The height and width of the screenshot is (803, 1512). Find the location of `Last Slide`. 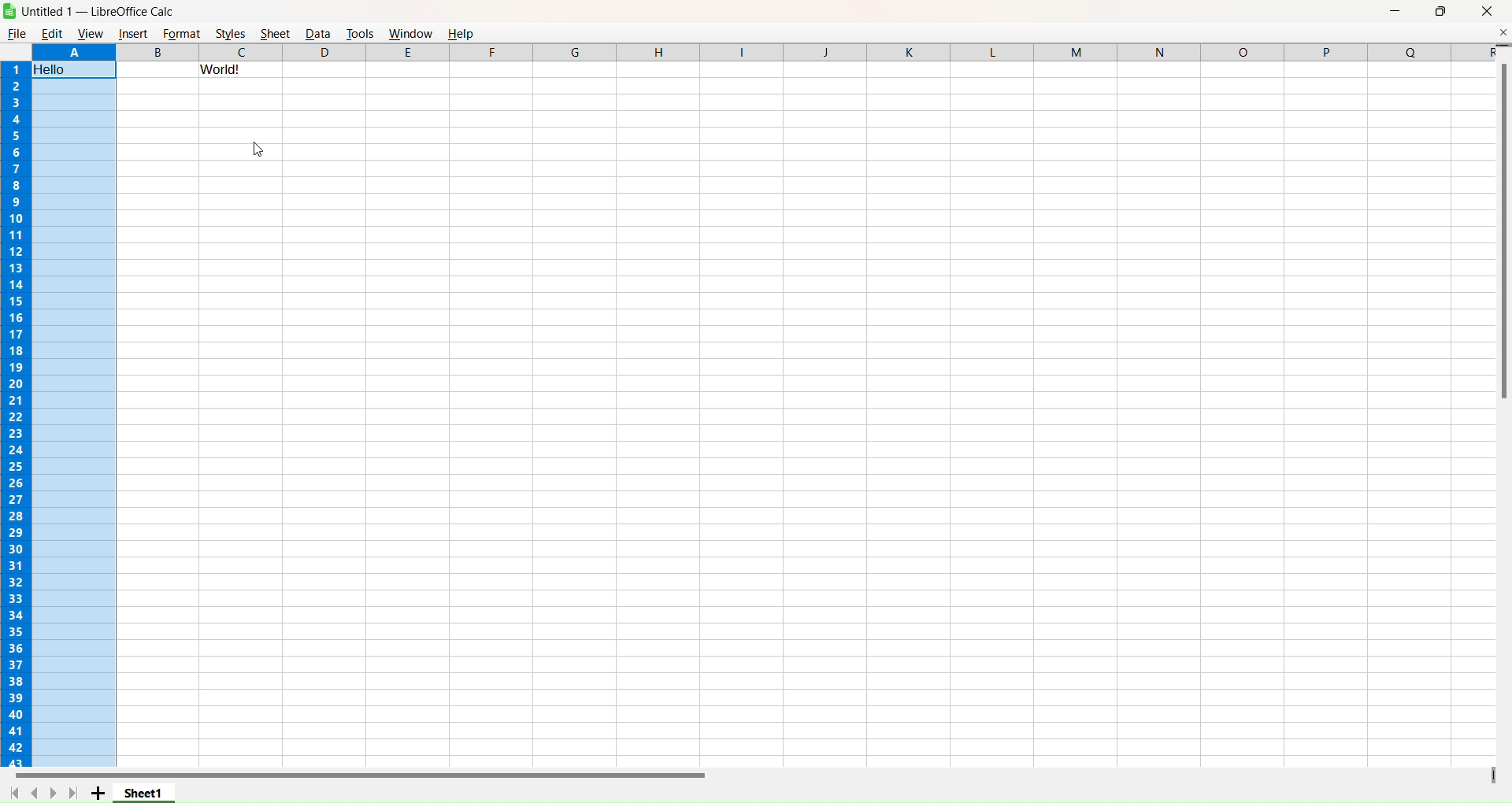

Last Slide is located at coordinates (73, 793).